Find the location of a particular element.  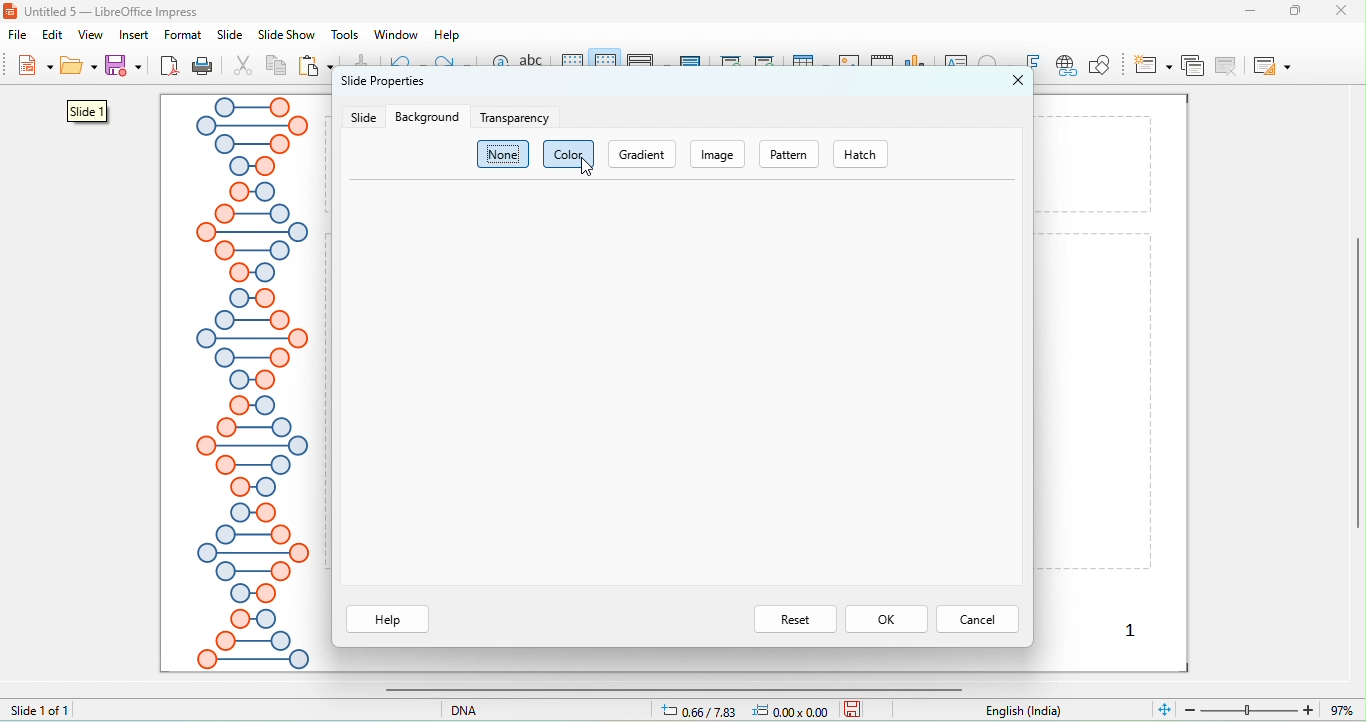

cursor position changed is located at coordinates (750, 710).